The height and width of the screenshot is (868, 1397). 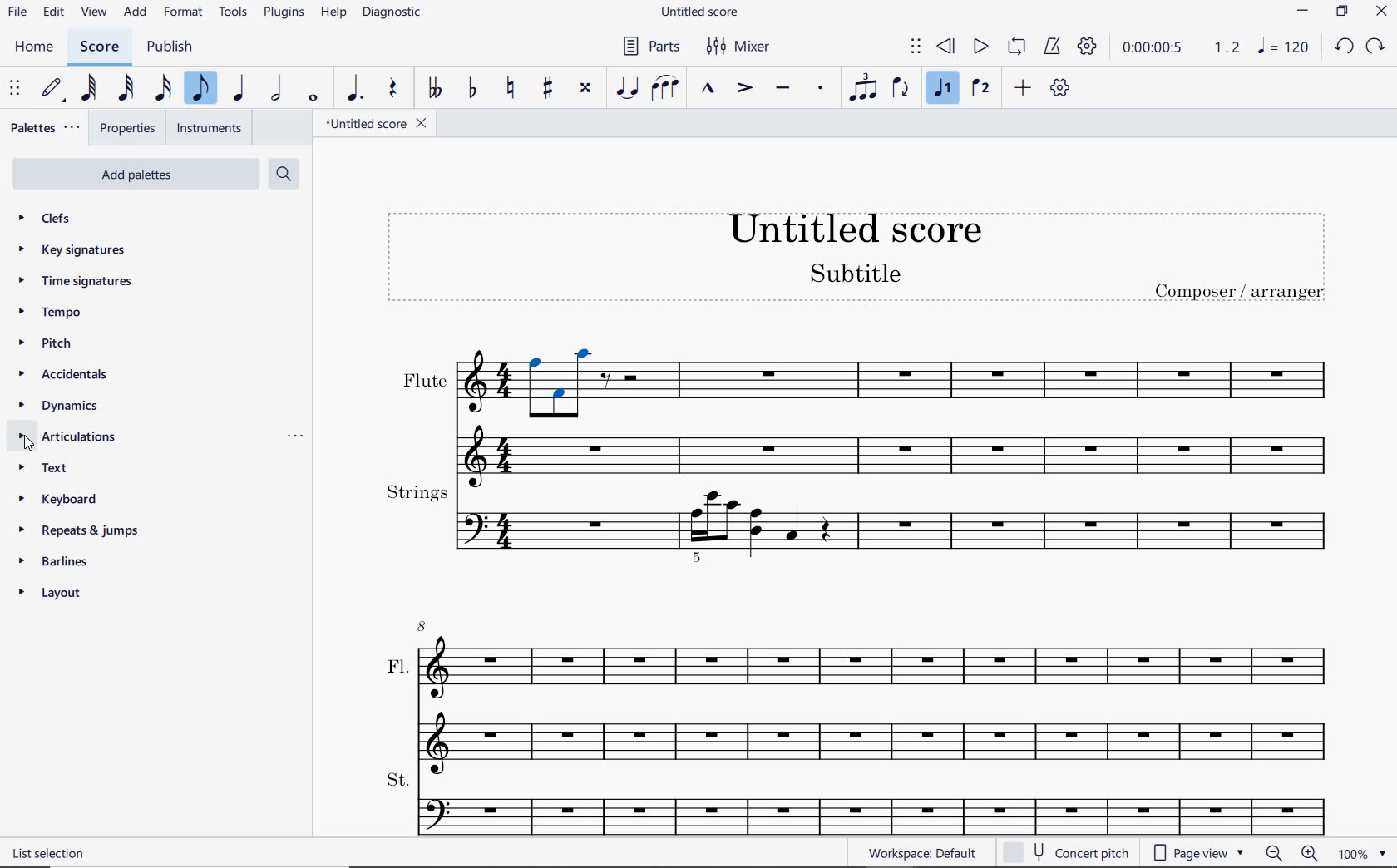 What do you see at coordinates (74, 279) in the screenshot?
I see `time signatures` at bounding box center [74, 279].